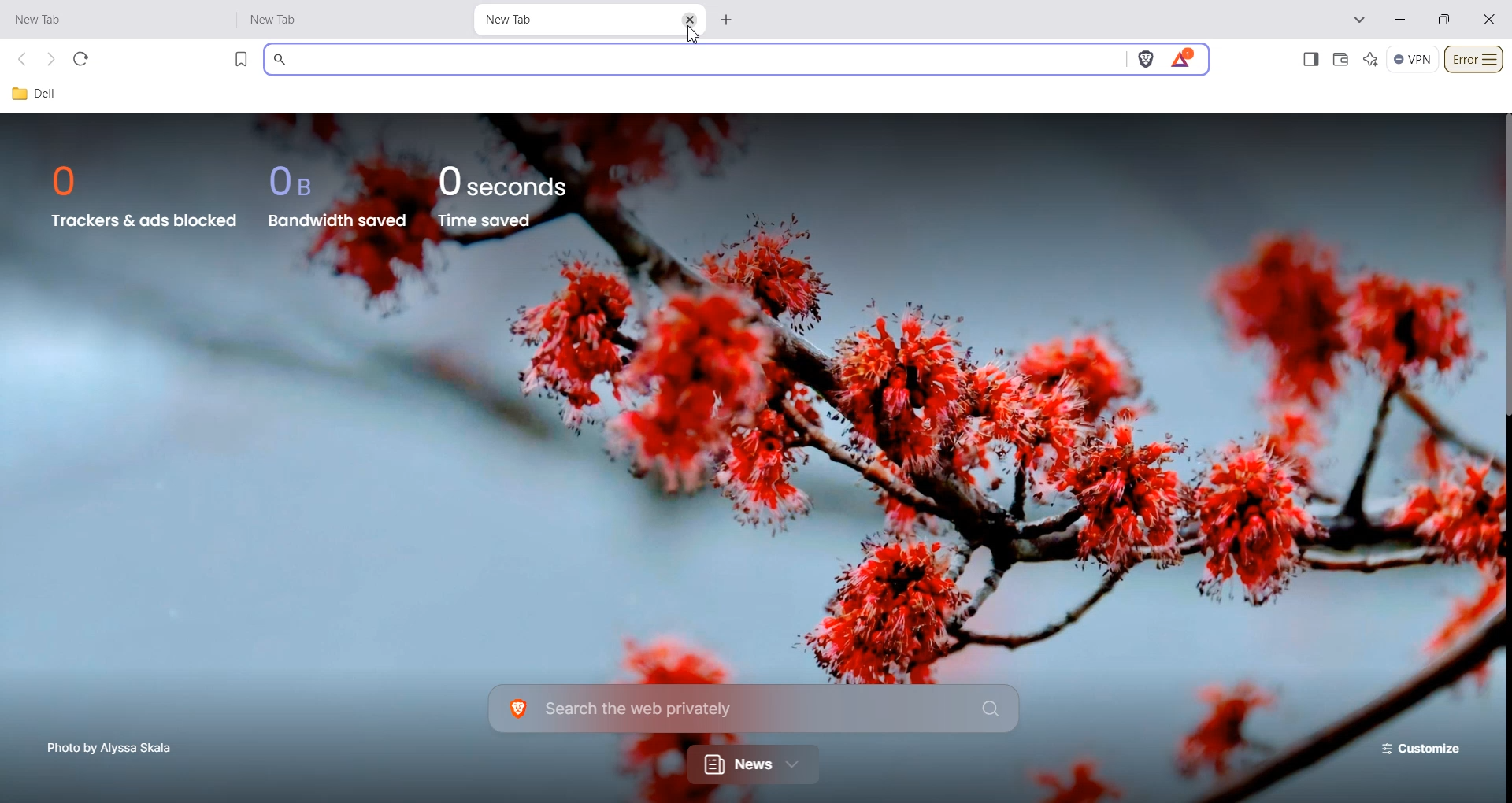 The height and width of the screenshot is (803, 1512). What do you see at coordinates (755, 764) in the screenshot?
I see `News` at bounding box center [755, 764].